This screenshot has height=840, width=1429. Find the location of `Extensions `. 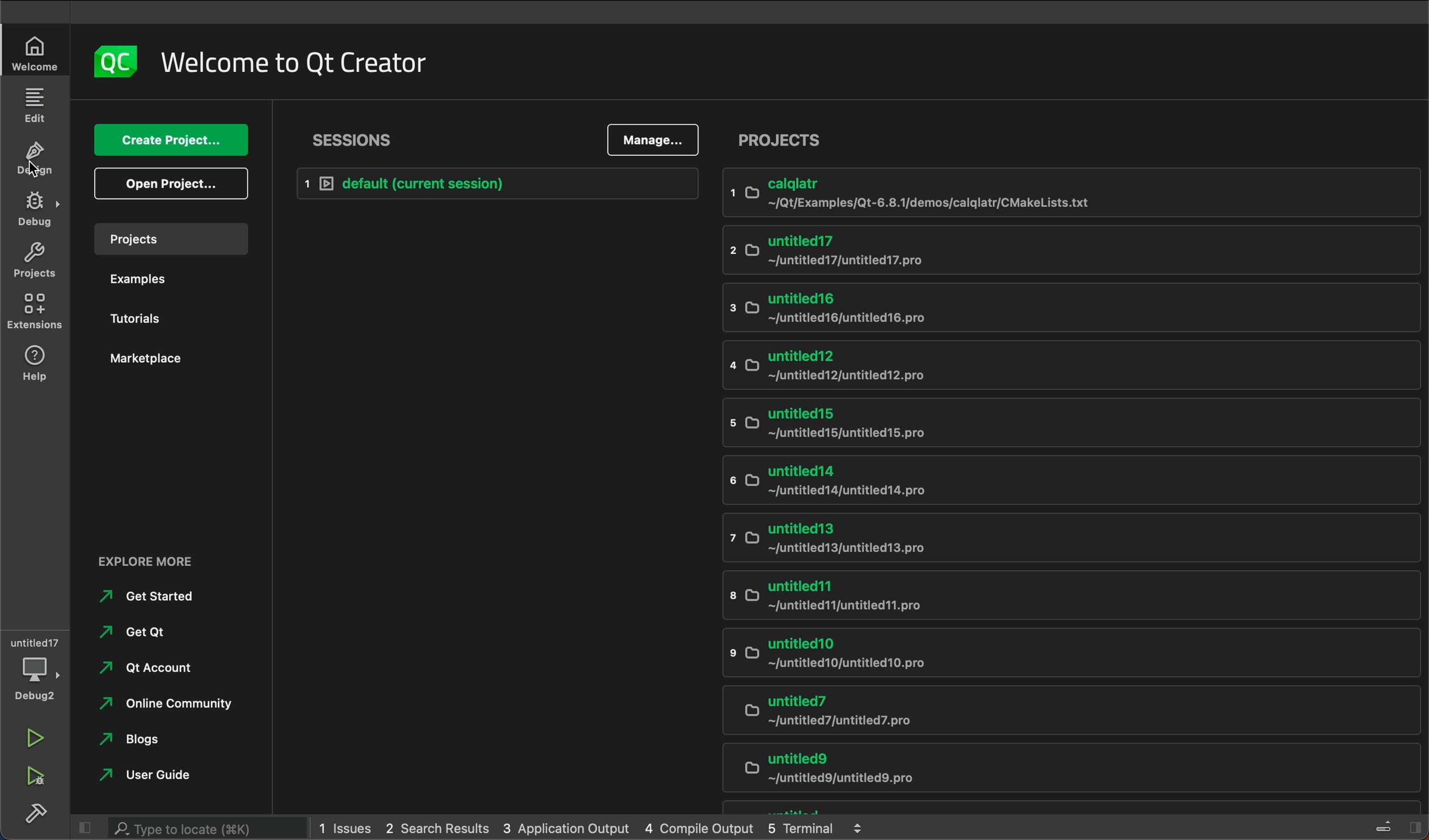

Extensions  is located at coordinates (32, 315).